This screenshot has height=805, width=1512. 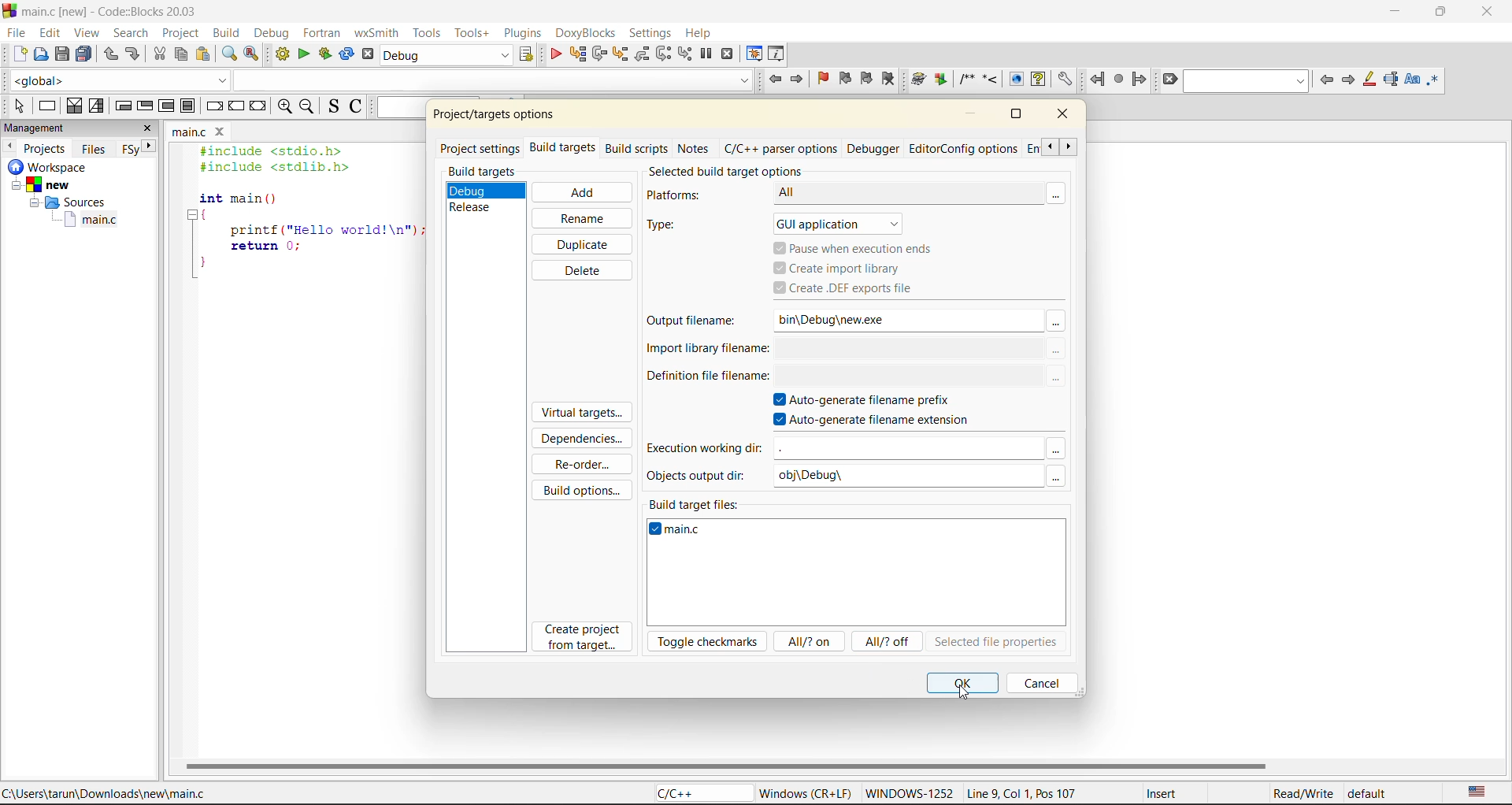 What do you see at coordinates (87, 33) in the screenshot?
I see `view` at bounding box center [87, 33].